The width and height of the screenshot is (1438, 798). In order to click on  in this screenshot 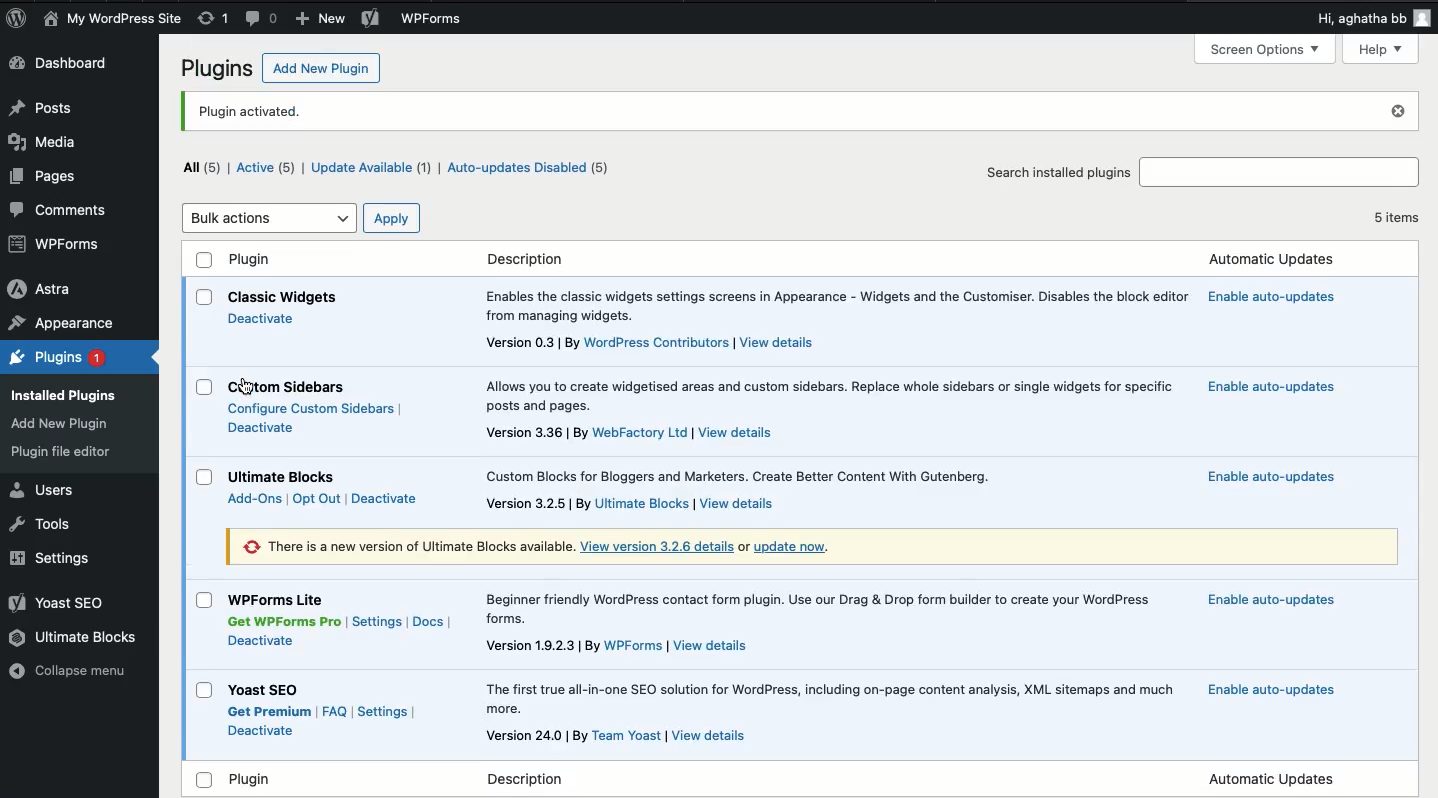, I will do `click(292, 600)`.